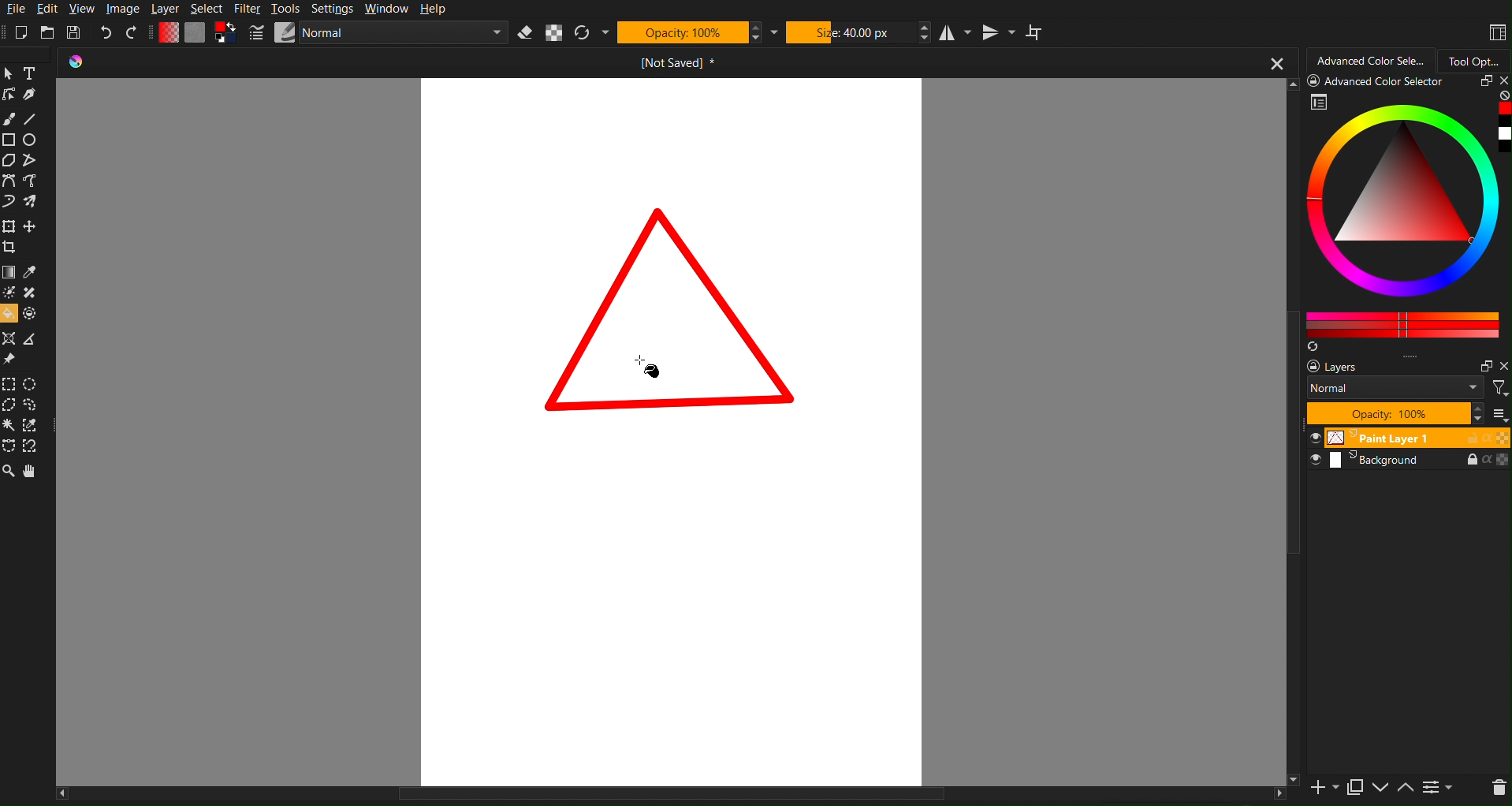  I want to click on smart patch tool, so click(32, 293).